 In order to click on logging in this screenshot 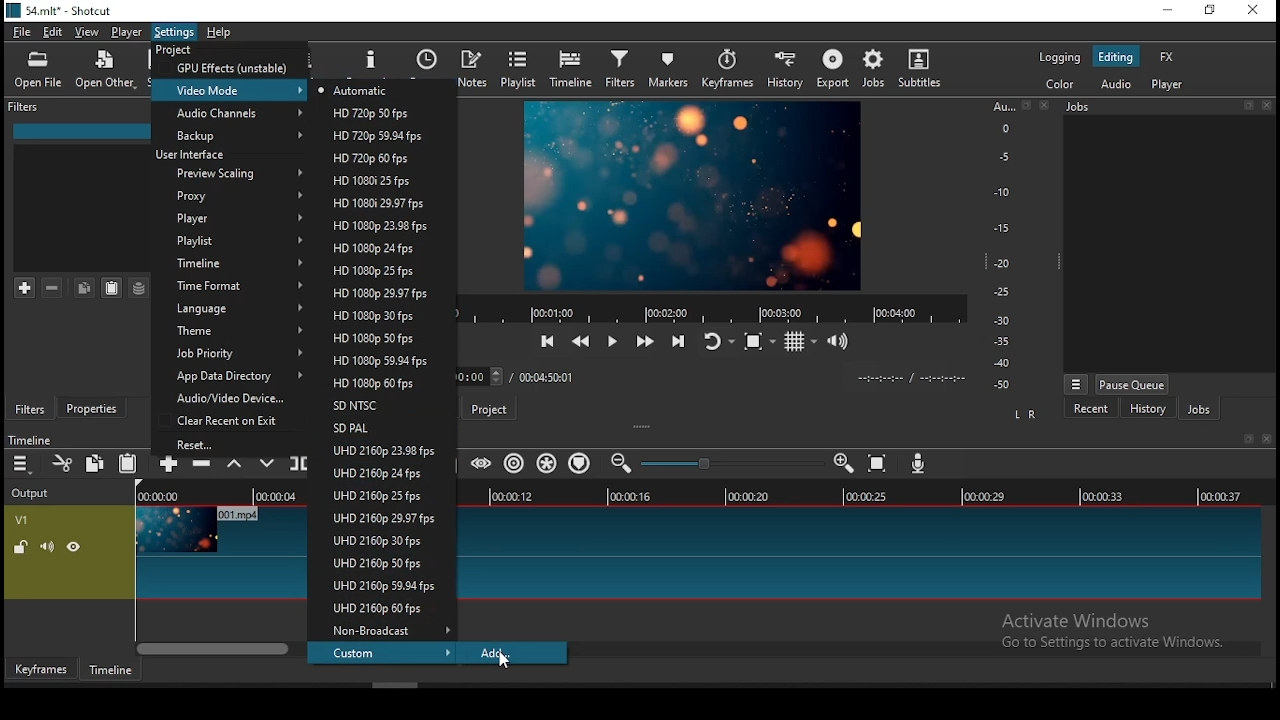, I will do `click(1059, 56)`.